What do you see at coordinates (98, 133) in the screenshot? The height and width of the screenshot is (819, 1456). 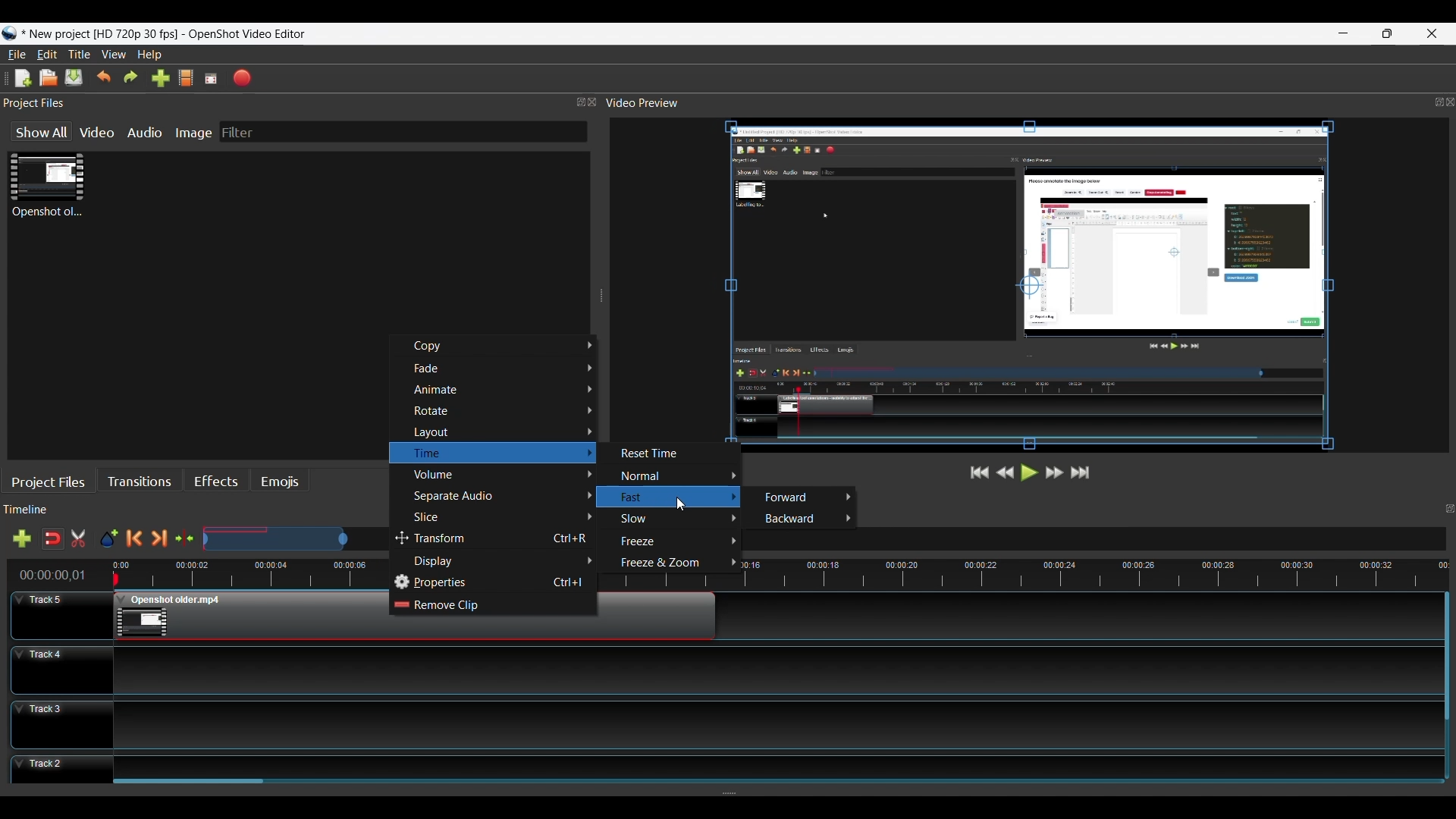 I see `Video` at bounding box center [98, 133].